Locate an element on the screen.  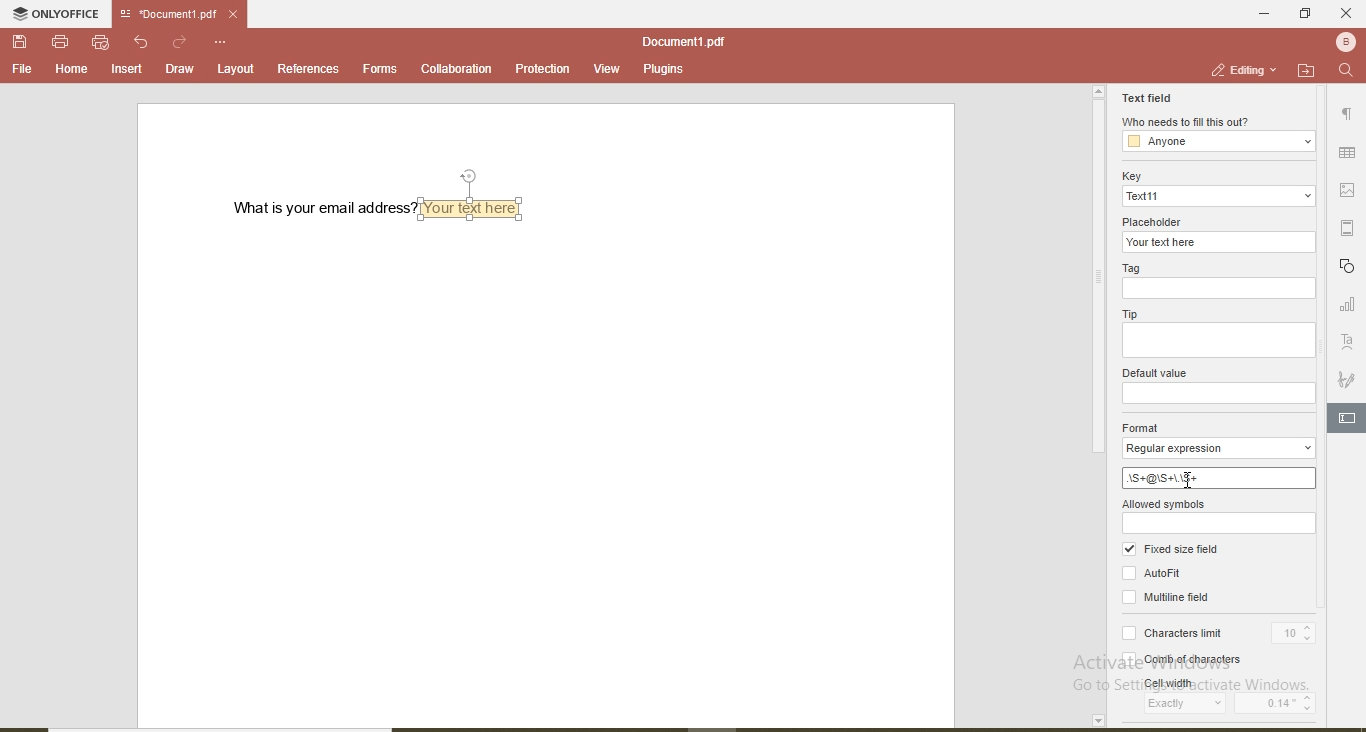
margin is located at coordinates (1351, 228).